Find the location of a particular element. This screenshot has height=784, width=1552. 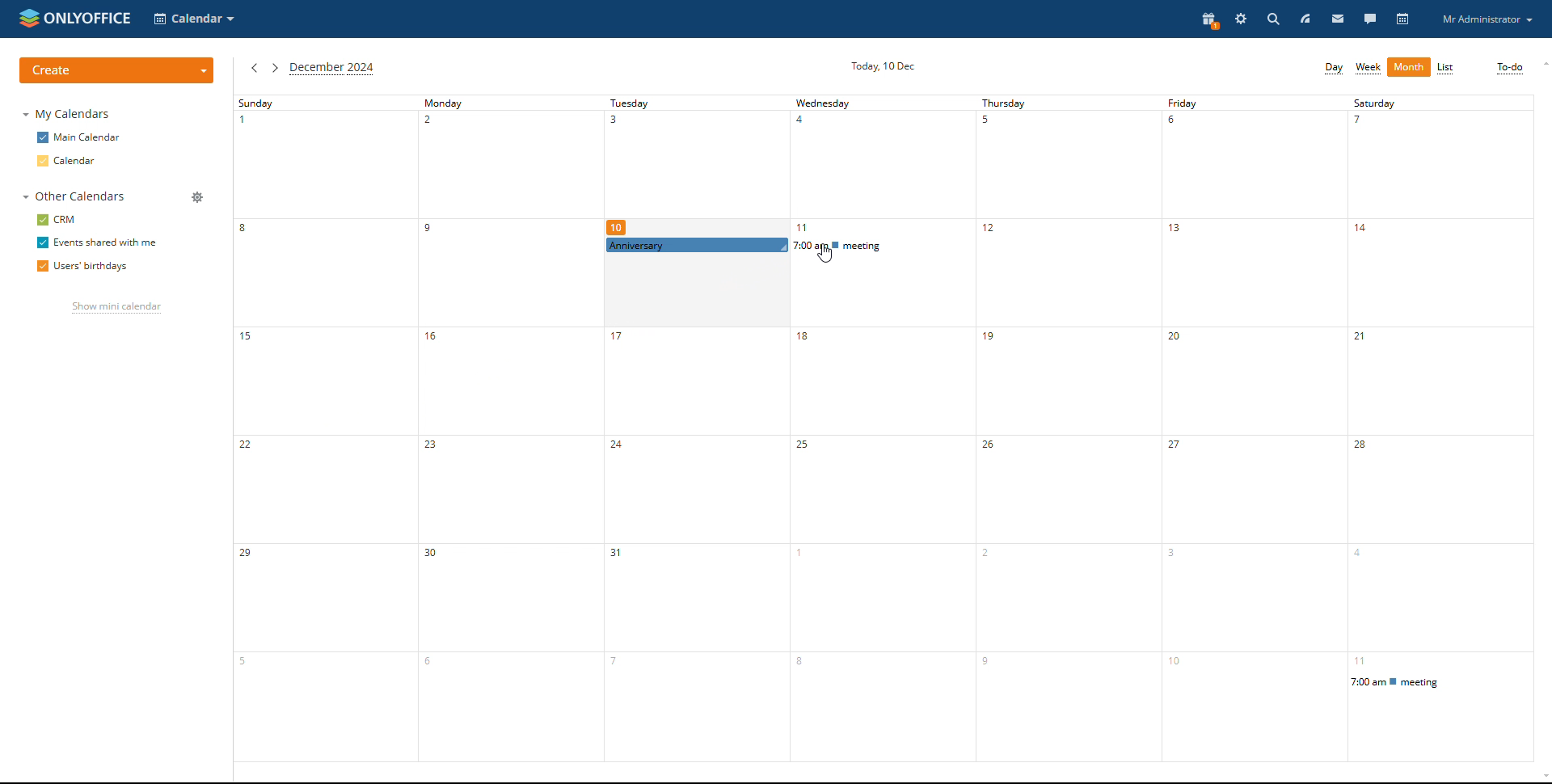

main calendar is located at coordinates (80, 138).